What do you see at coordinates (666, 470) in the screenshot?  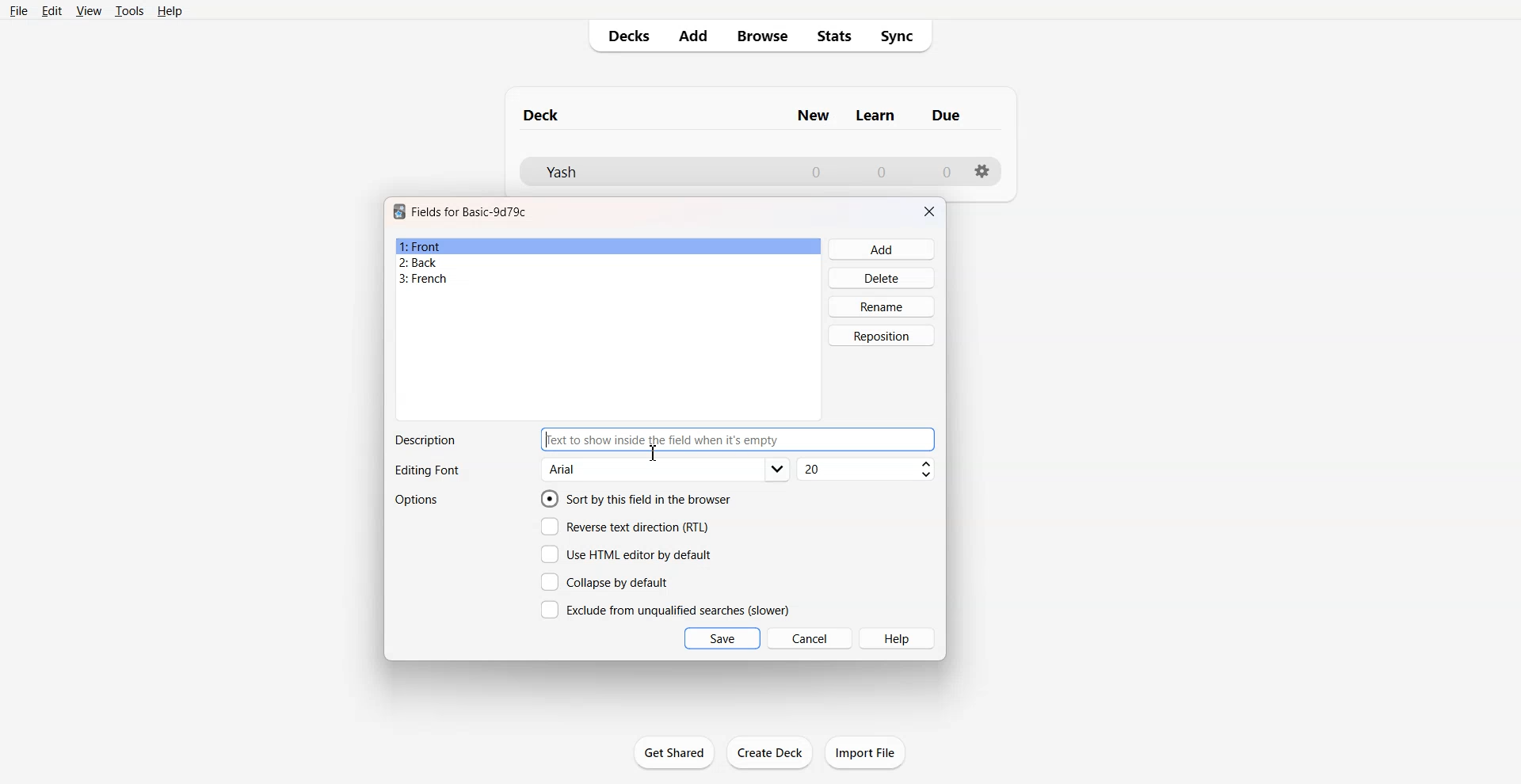 I see `Editing font options` at bounding box center [666, 470].